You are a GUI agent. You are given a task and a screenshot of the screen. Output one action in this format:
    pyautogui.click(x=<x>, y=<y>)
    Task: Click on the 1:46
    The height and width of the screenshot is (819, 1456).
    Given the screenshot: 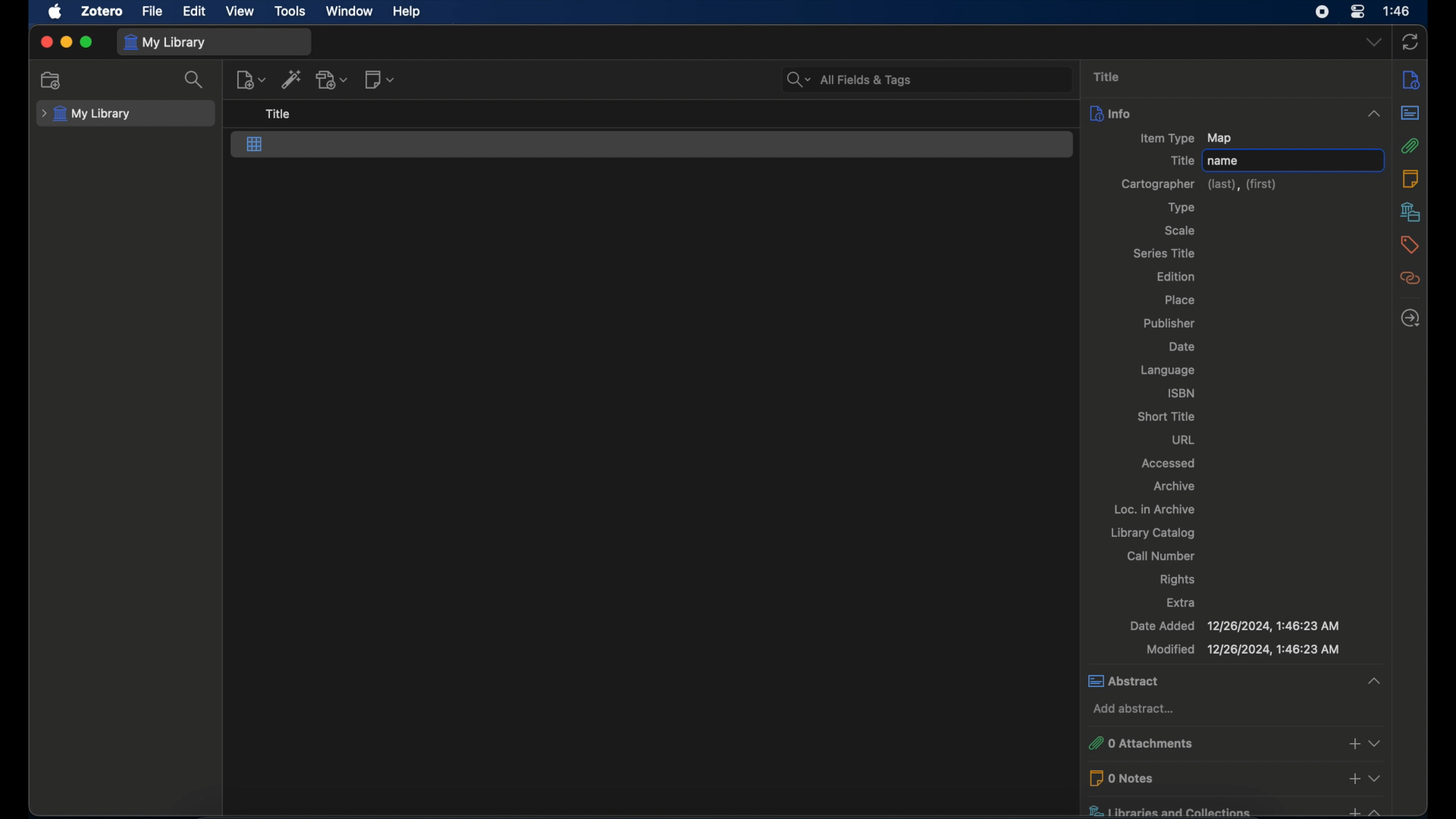 What is the action you would take?
    pyautogui.click(x=1398, y=11)
    